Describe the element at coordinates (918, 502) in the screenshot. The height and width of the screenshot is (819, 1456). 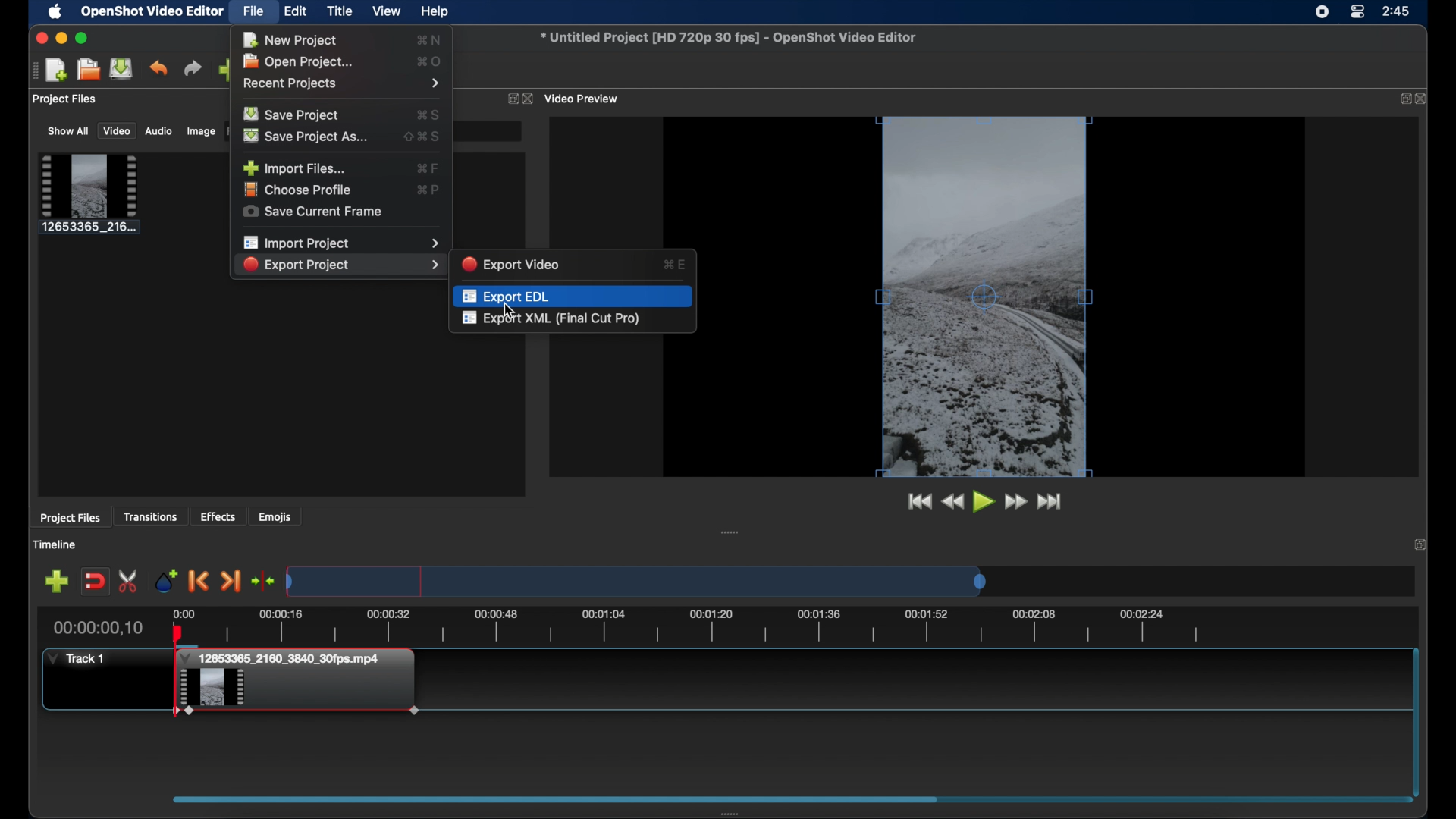
I see `jump to start` at that location.